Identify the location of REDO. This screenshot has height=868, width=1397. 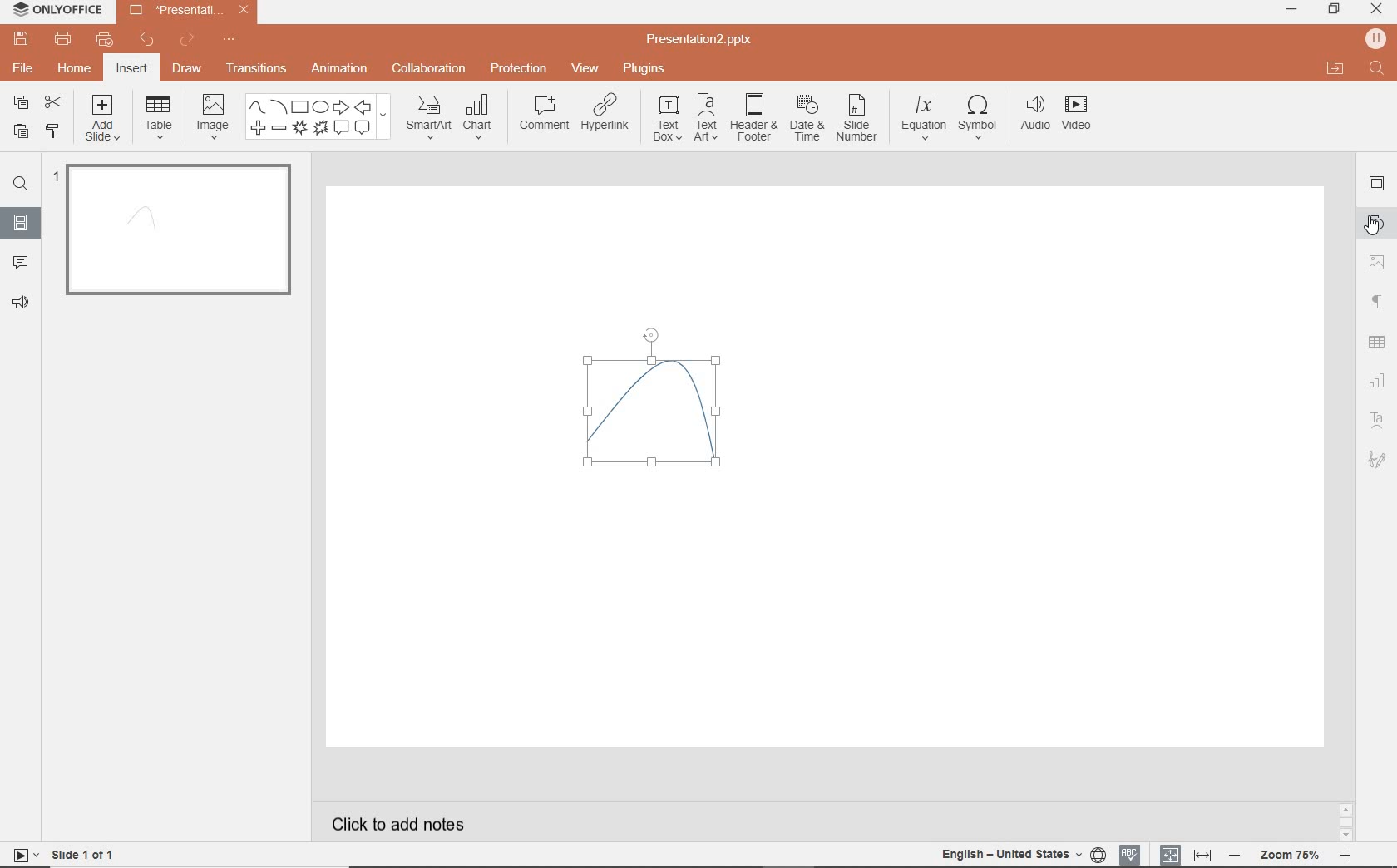
(187, 41).